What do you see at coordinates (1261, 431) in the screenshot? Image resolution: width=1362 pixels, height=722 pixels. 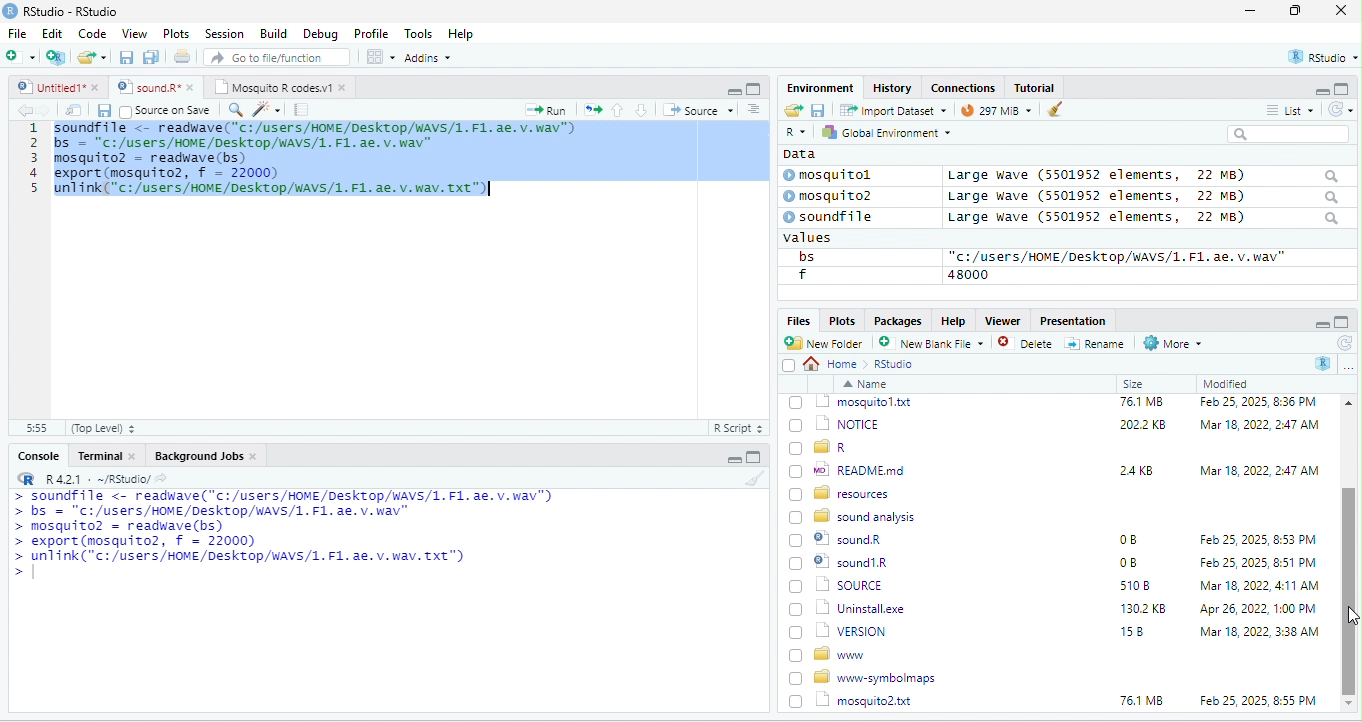 I see `Feb 25, 2025, 12:45 PM` at bounding box center [1261, 431].